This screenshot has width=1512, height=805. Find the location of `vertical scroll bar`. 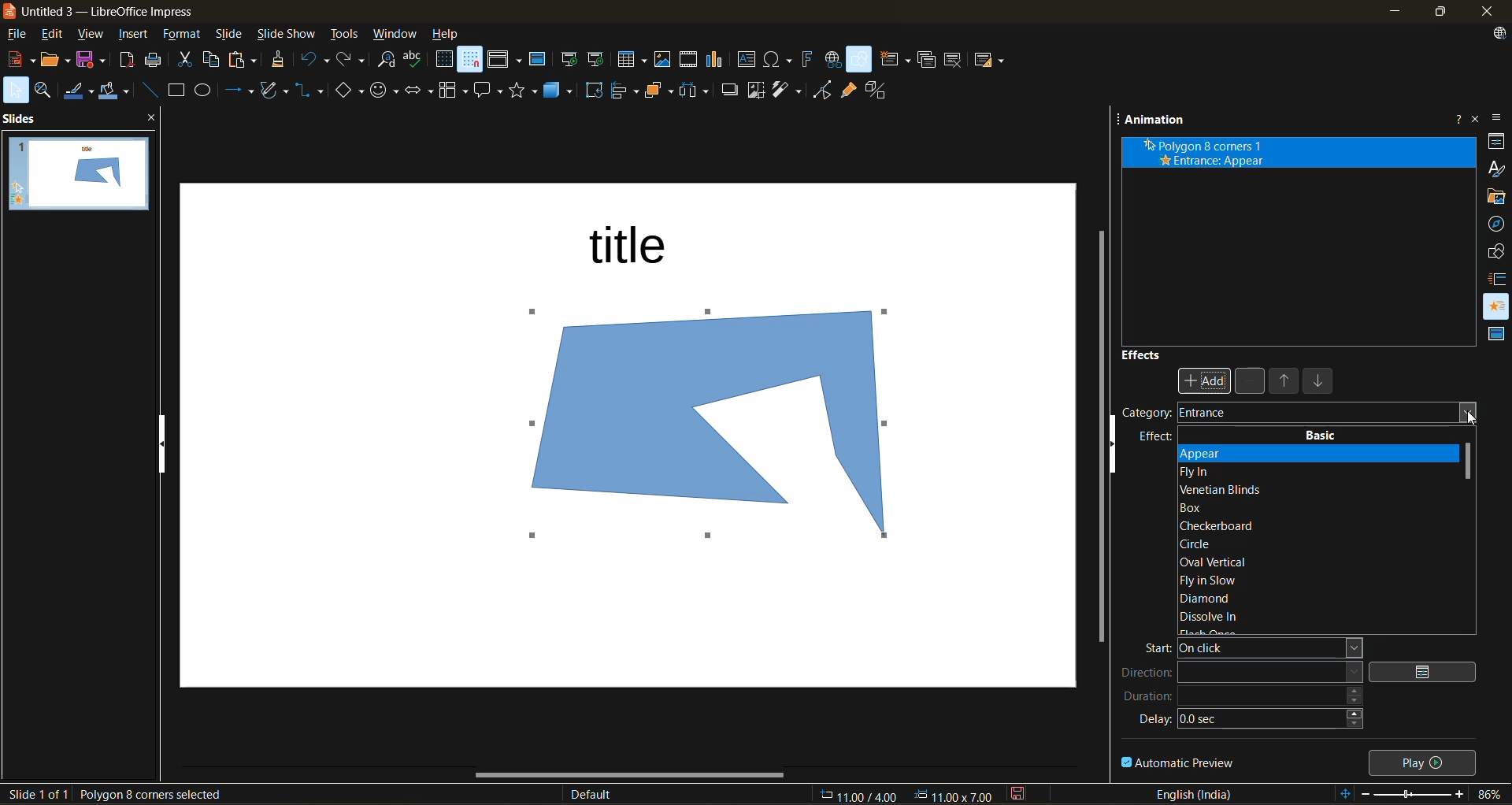

vertical scroll bar is located at coordinates (1096, 434).